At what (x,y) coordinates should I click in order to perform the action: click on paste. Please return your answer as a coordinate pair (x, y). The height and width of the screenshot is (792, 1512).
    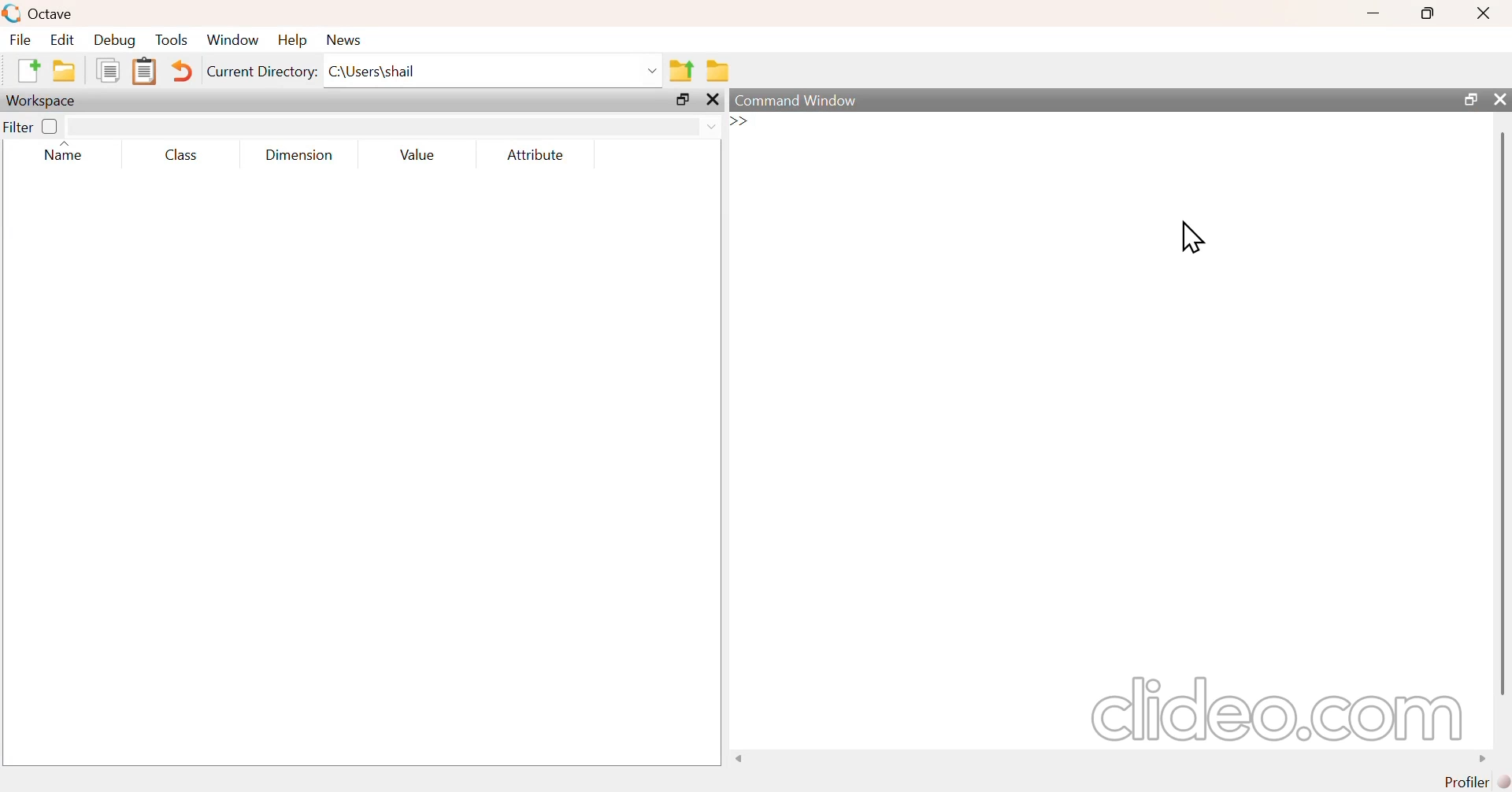
    Looking at the image, I should click on (146, 69).